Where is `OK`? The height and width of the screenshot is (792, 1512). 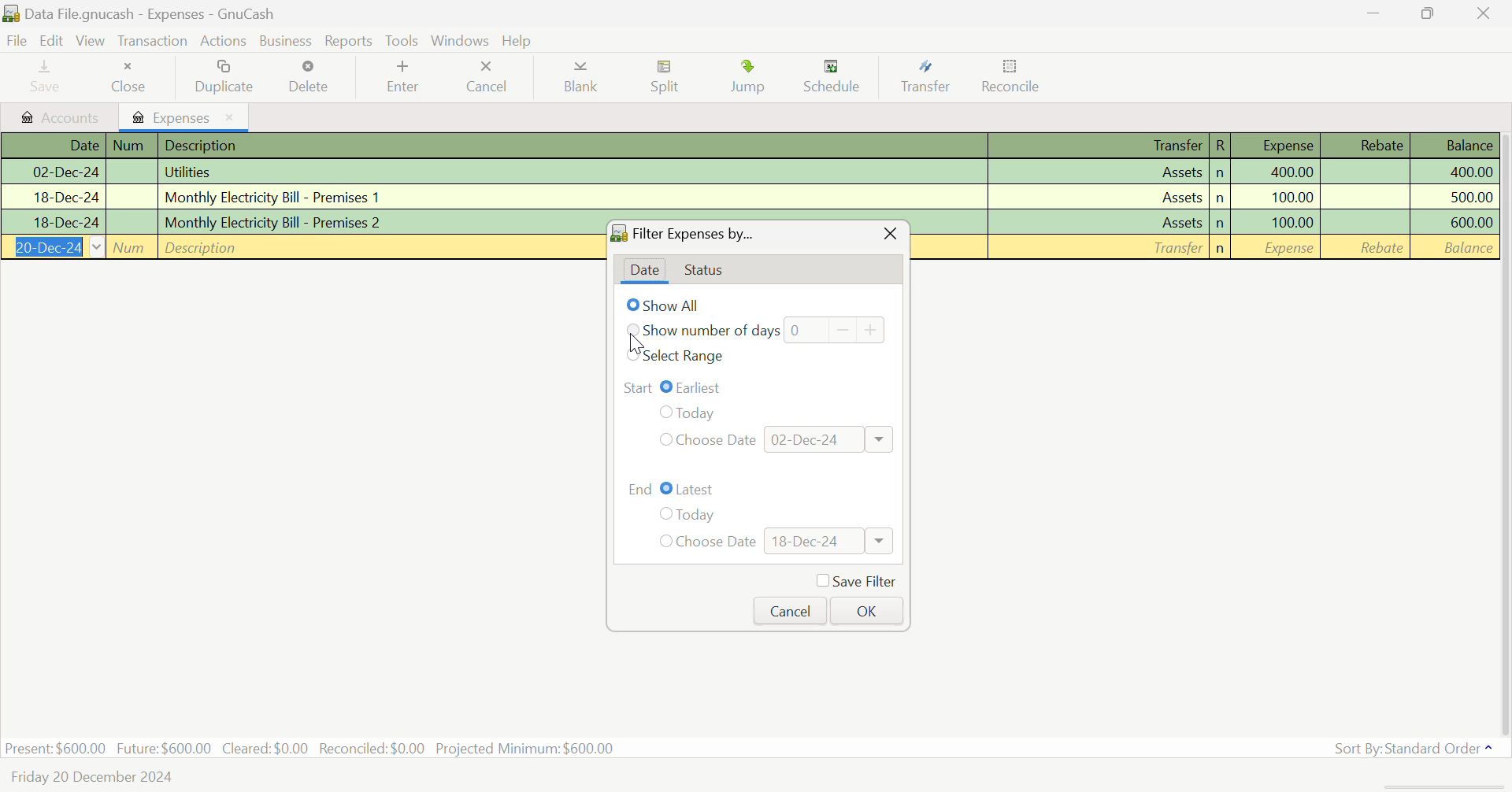
OK is located at coordinates (866, 611).